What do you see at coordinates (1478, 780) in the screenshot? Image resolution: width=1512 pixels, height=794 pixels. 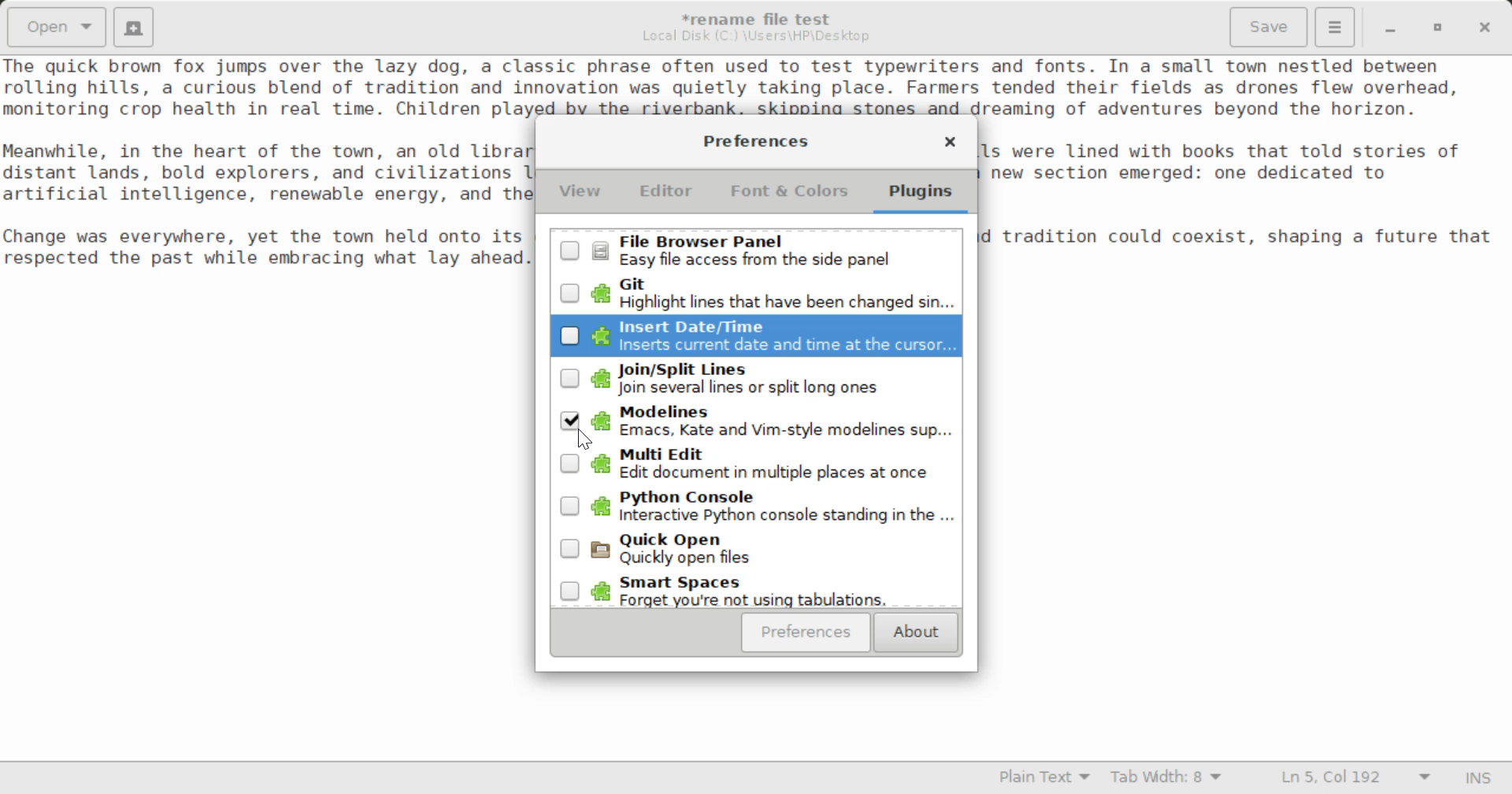 I see `Input Mode` at bounding box center [1478, 780].